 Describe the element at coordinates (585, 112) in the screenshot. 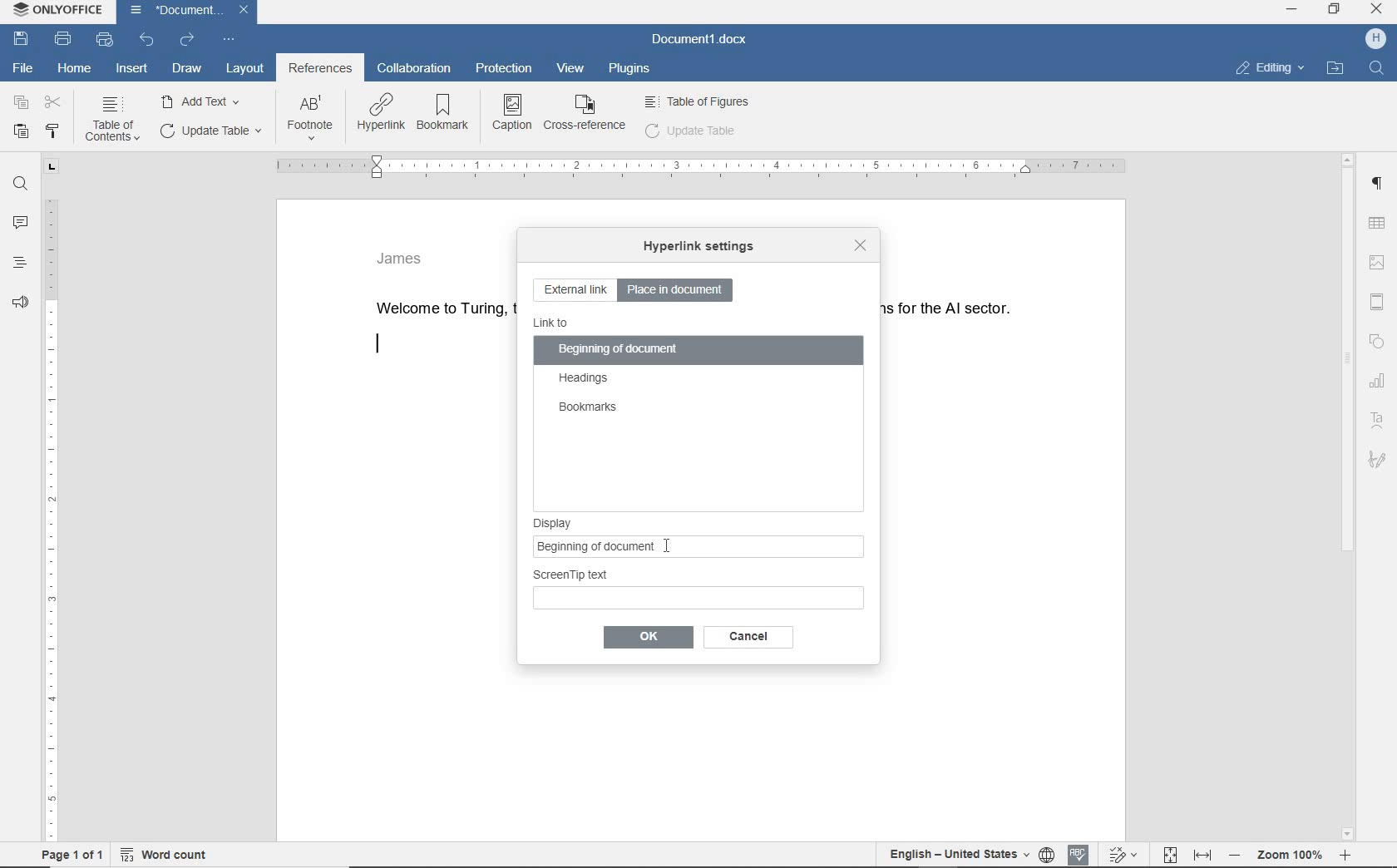

I see `CROSS REFERENCE` at that location.